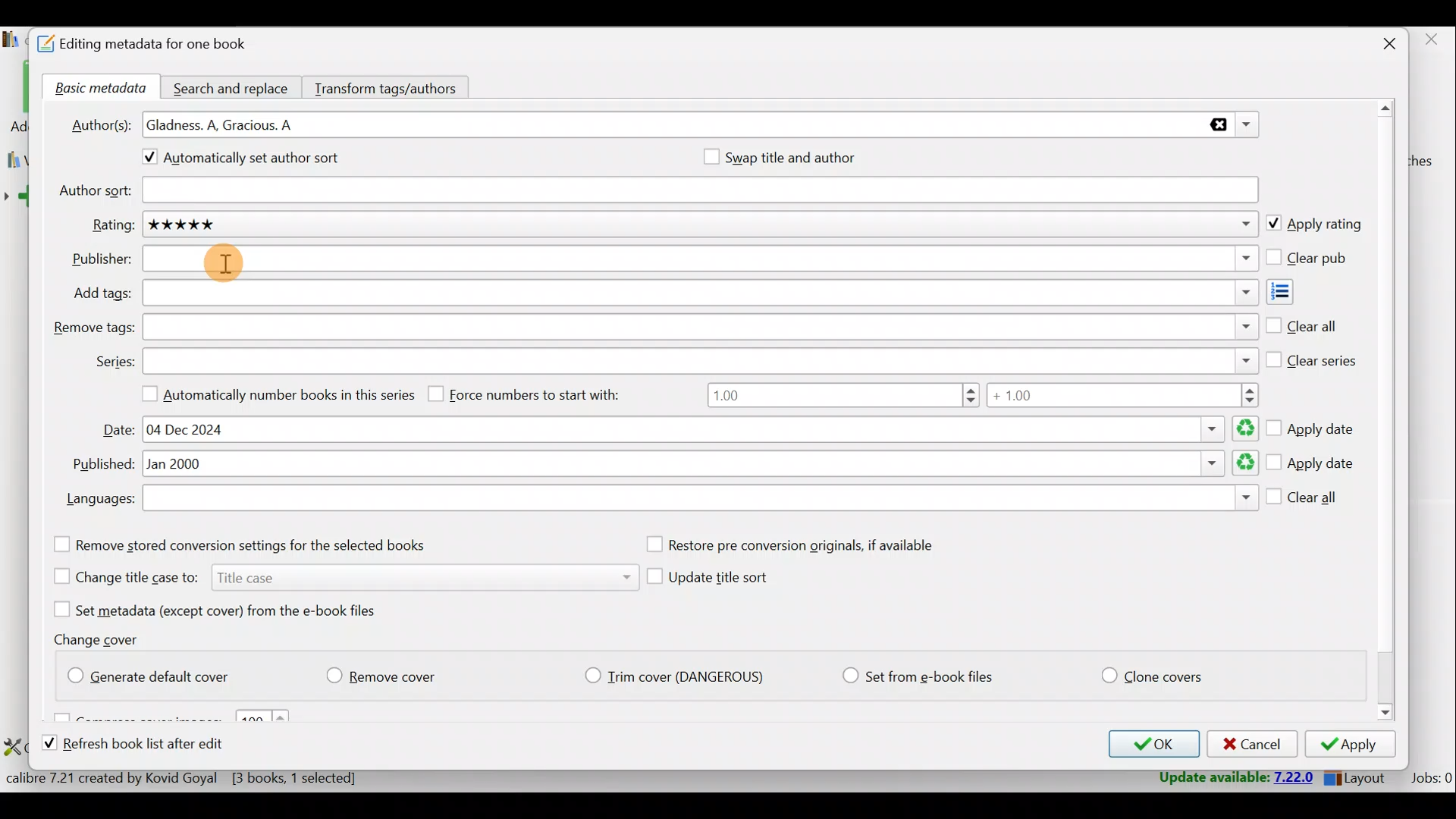 This screenshot has width=1456, height=819. I want to click on Number range, so click(982, 397).